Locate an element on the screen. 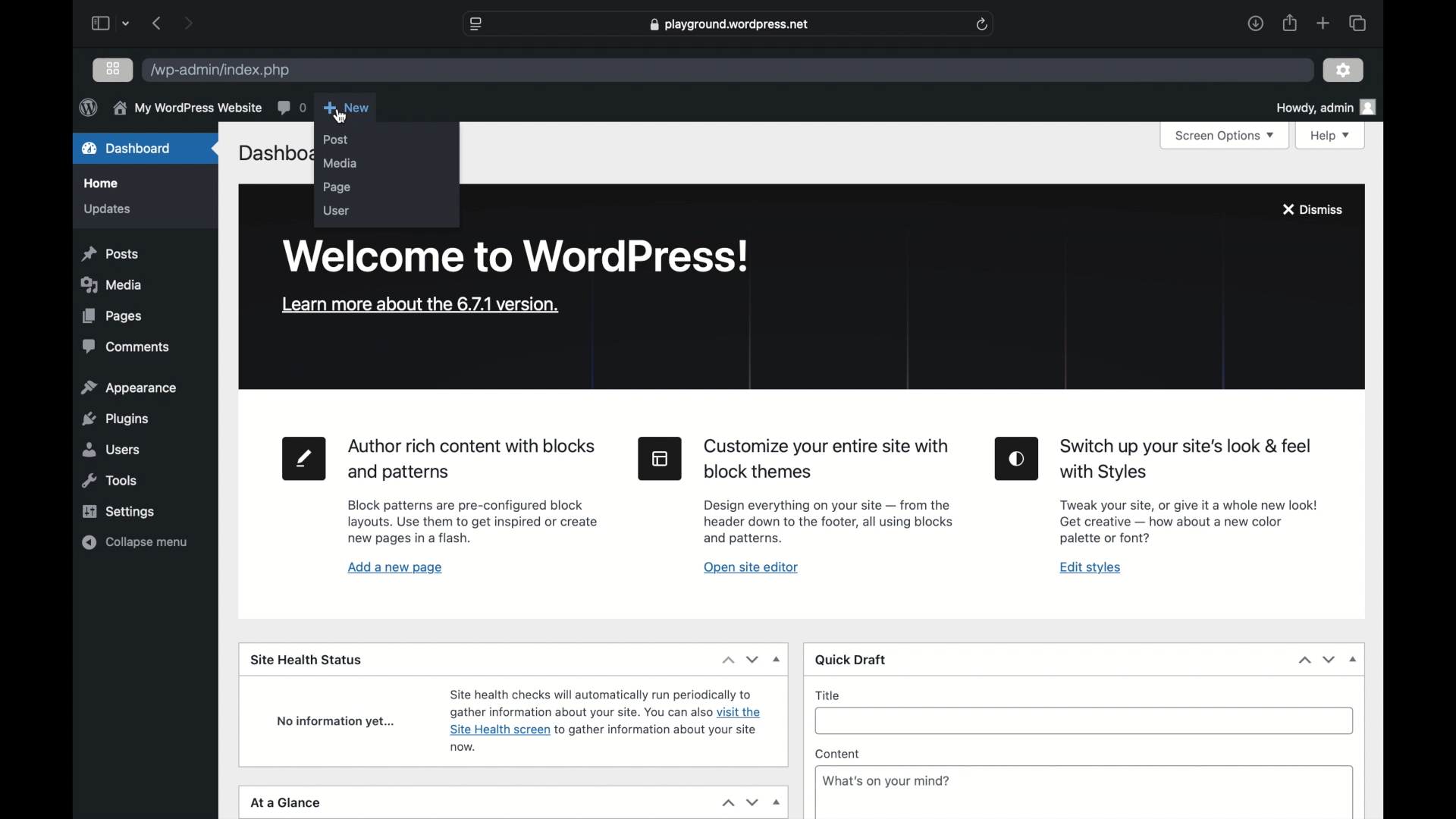  heading is located at coordinates (827, 460).